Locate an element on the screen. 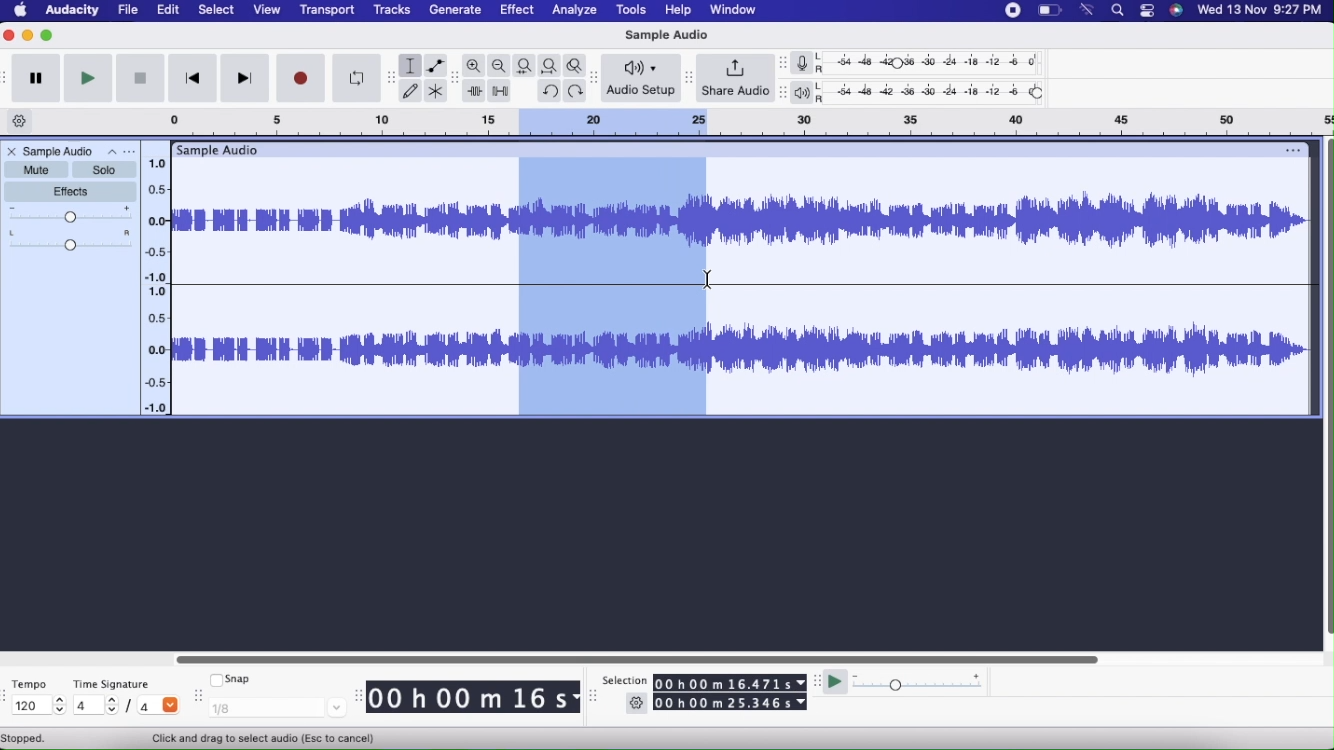  spotlight is located at coordinates (1118, 12).